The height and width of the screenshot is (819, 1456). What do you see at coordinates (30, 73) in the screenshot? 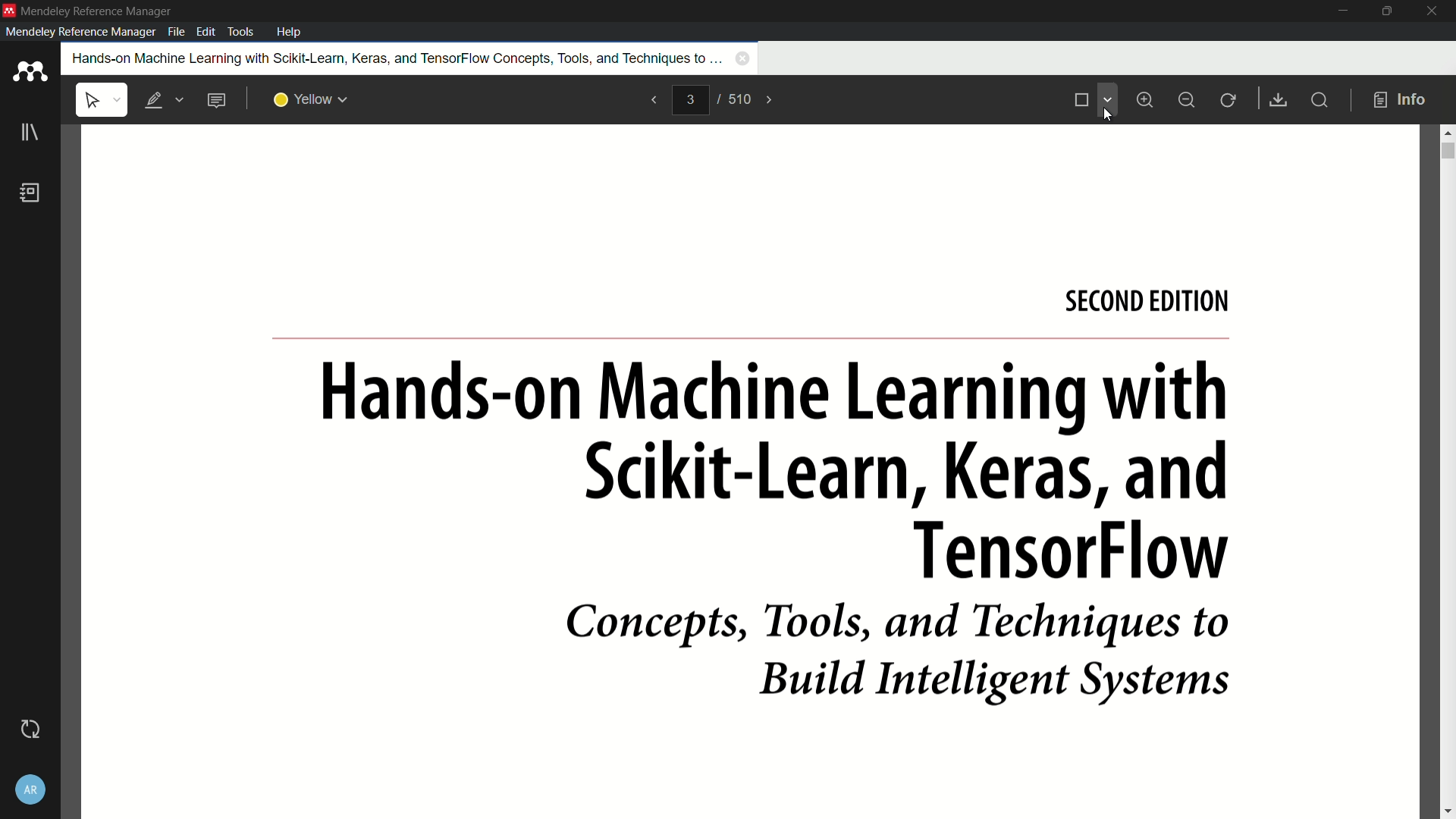
I see `app icon` at bounding box center [30, 73].